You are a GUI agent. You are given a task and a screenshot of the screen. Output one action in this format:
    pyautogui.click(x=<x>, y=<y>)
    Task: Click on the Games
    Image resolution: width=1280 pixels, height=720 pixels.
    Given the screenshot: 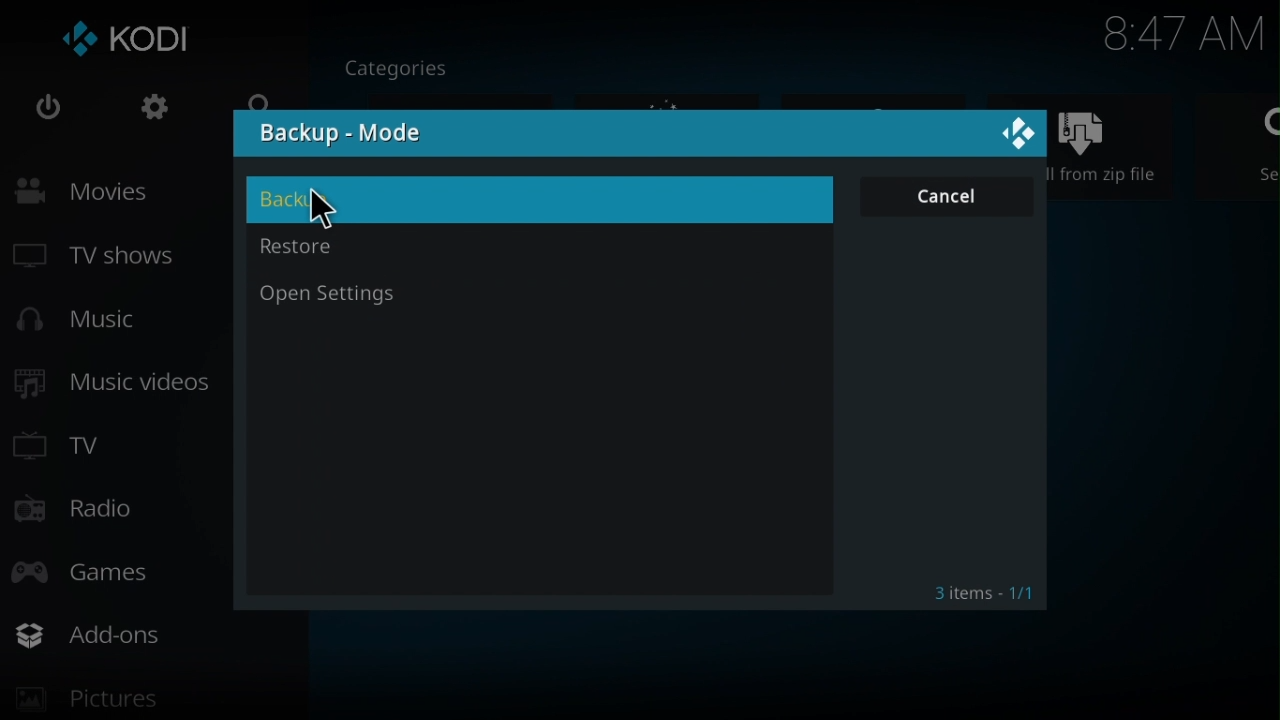 What is the action you would take?
    pyautogui.click(x=106, y=568)
    